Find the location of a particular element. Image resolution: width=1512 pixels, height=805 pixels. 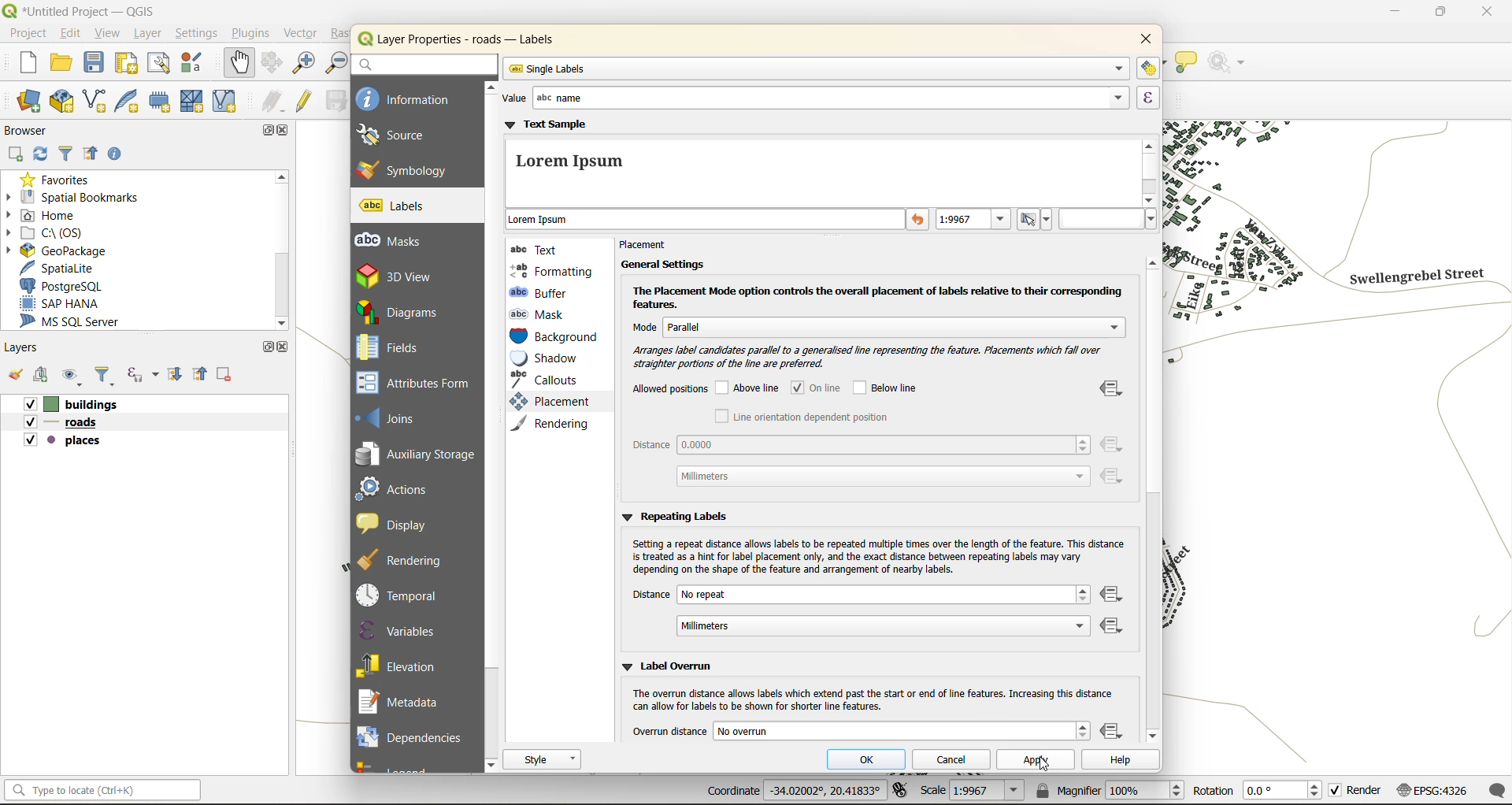

open data source manager is located at coordinates (24, 103).